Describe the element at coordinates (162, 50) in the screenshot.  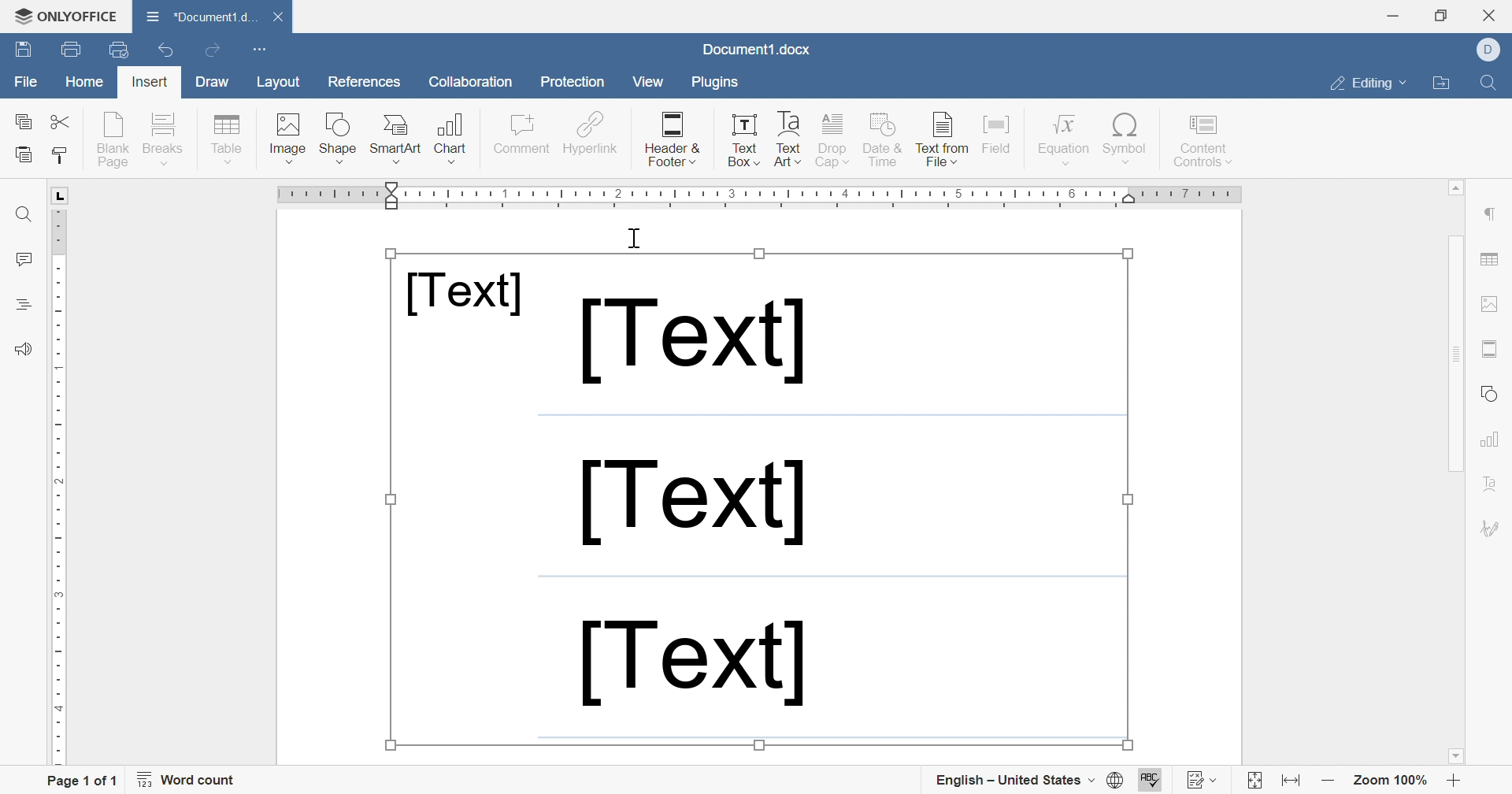
I see `Undo` at that location.